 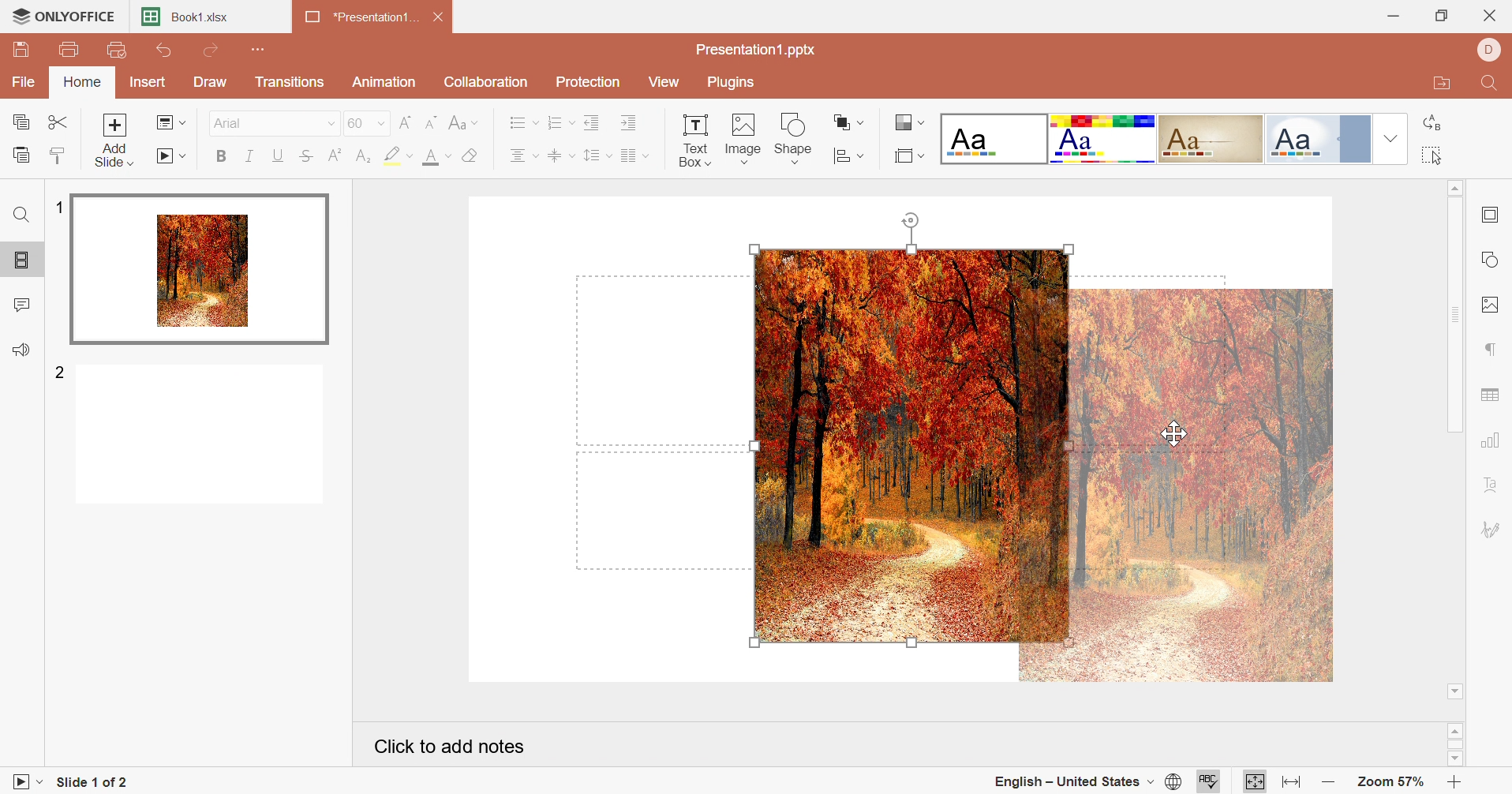 What do you see at coordinates (1103, 140) in the screenshot?
I see `Basic` at bounding box center [1103, 140].